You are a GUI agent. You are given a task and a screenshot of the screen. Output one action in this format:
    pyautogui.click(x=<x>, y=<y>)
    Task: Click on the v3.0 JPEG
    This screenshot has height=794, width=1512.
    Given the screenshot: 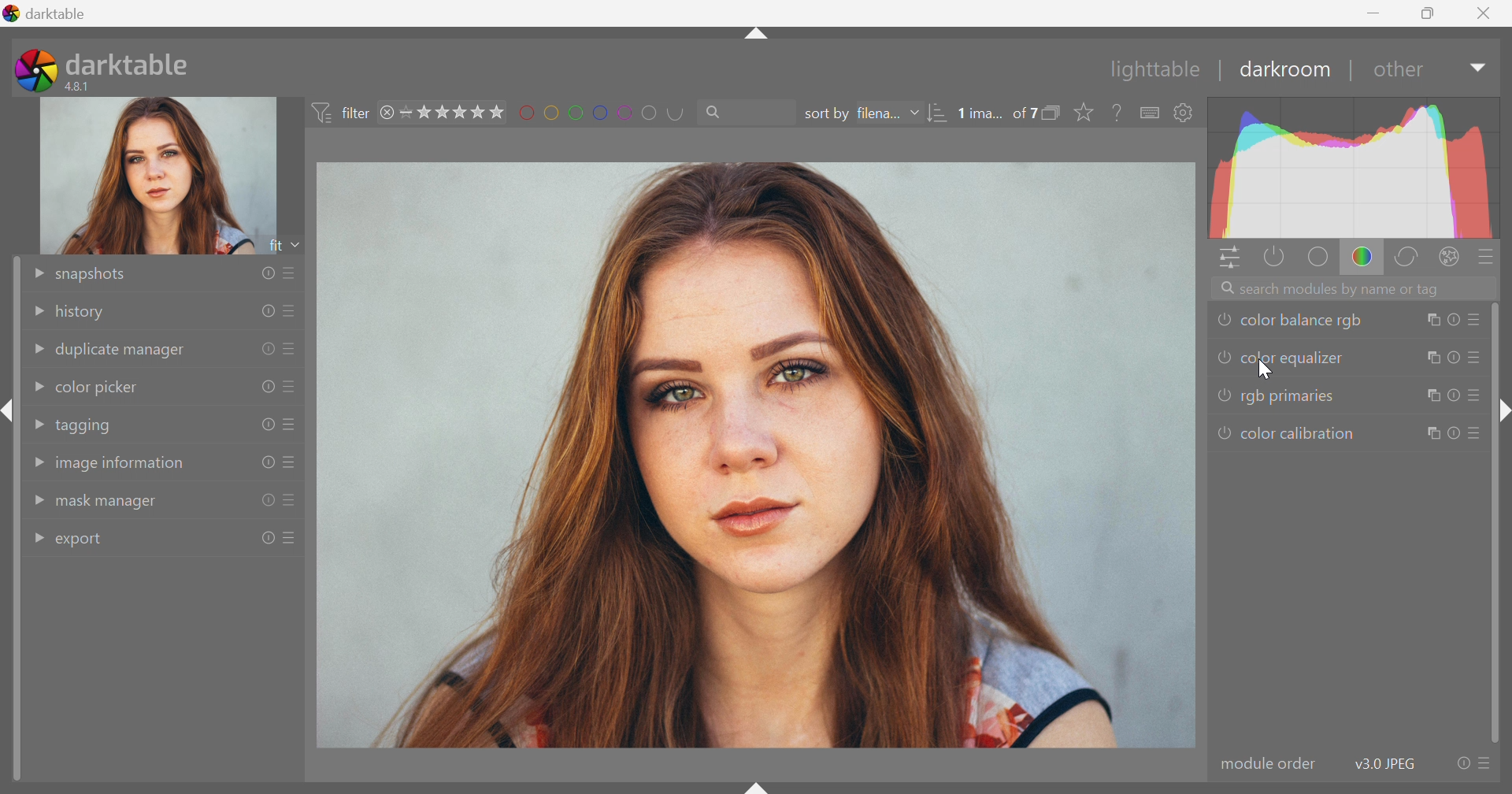 What is the action you would take?
    pyautogui.click(x=1381, y=764)
    